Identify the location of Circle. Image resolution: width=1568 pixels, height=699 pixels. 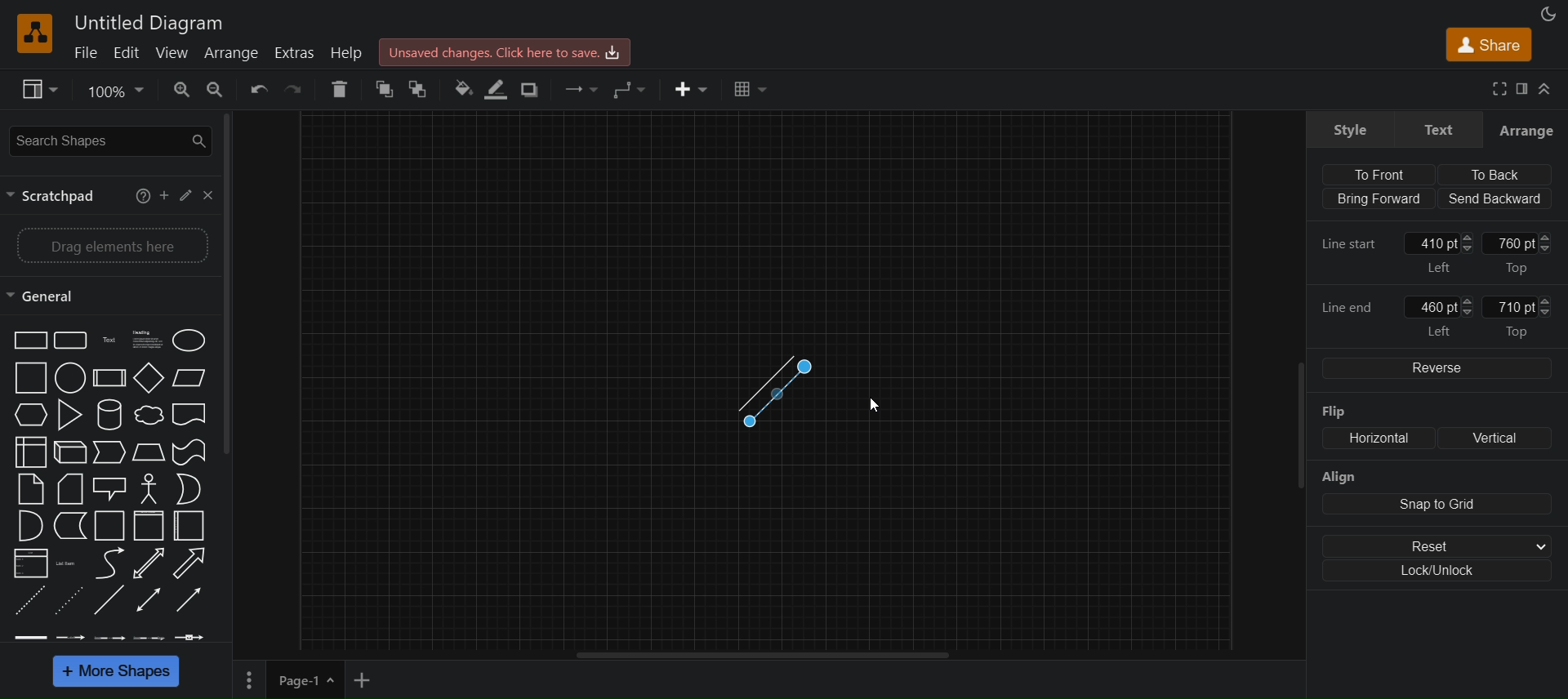
(69, 378).